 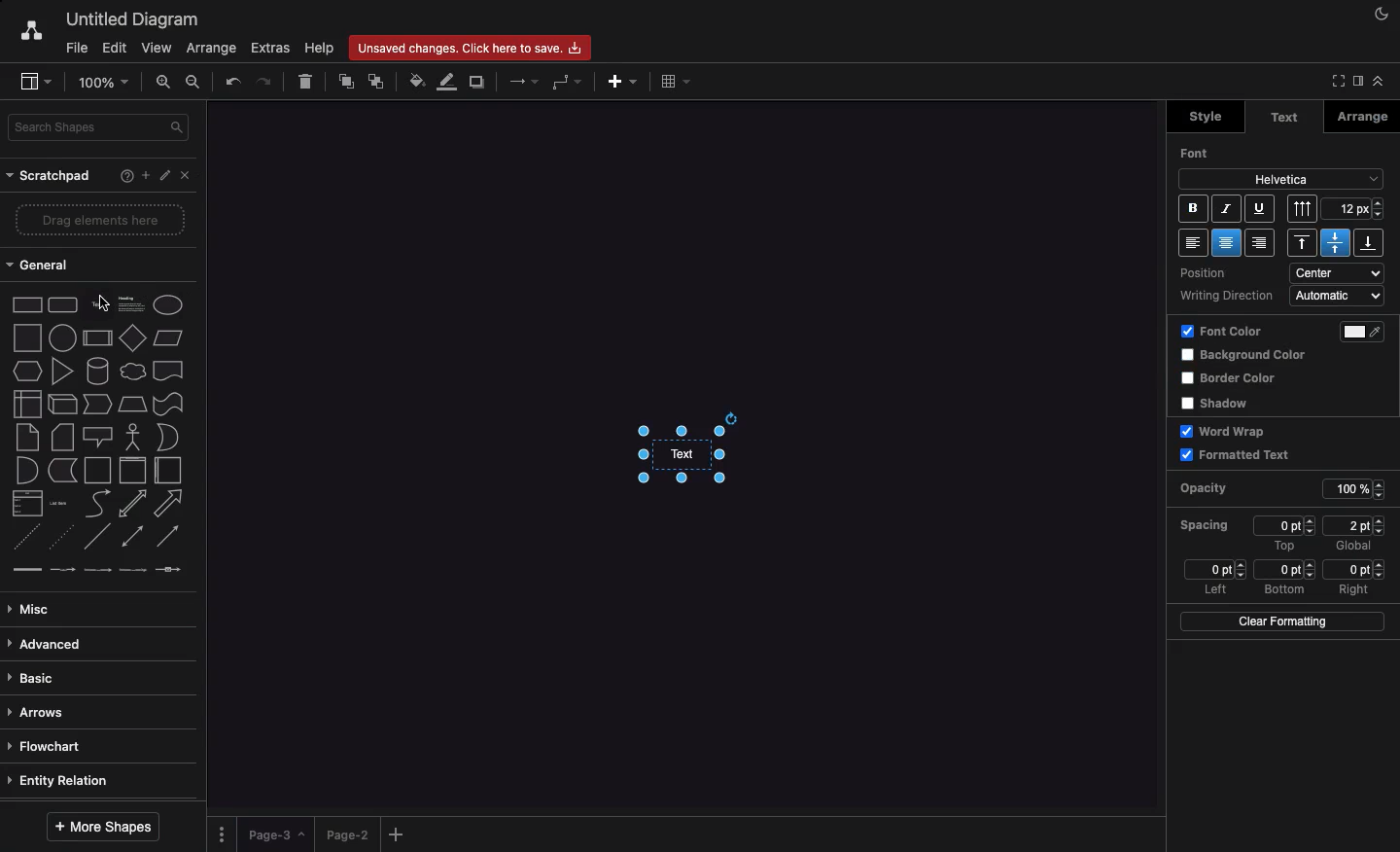 What do you see at coordinates (49, 646) in the screenshot?
I see `Advanced` at bounding box center [49, 646].